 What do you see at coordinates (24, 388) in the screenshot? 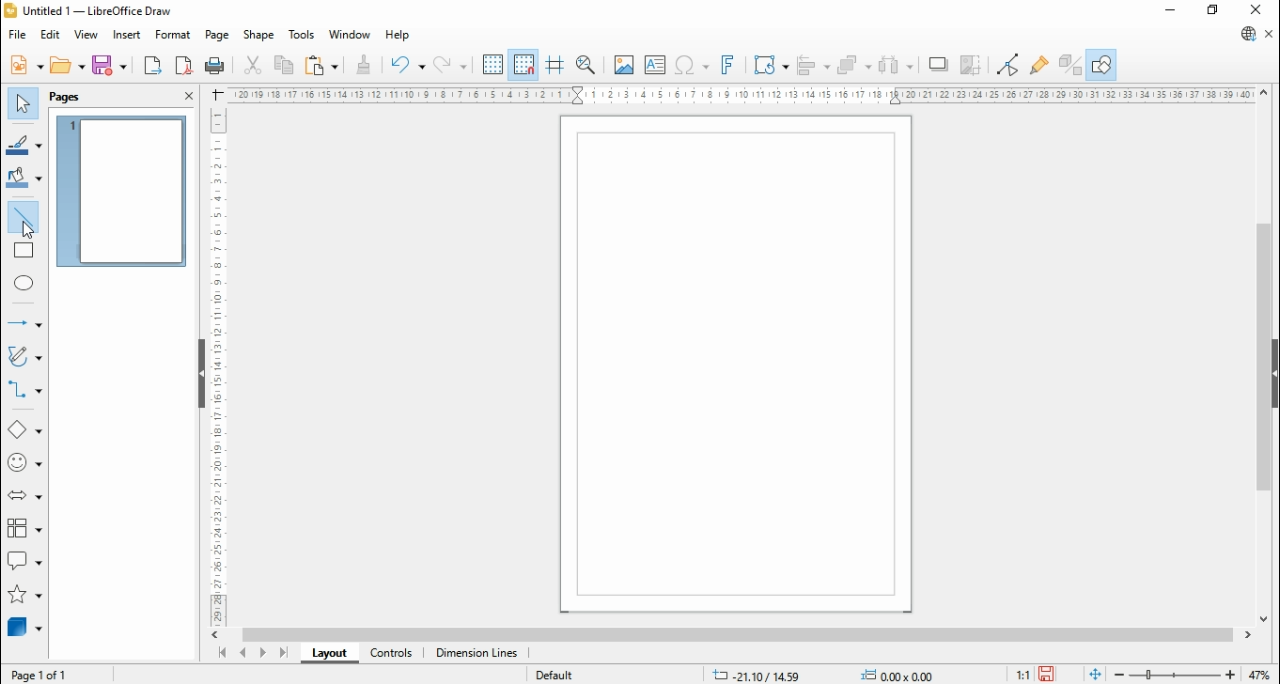
I see `connectors` at bounding box center [24, 388].